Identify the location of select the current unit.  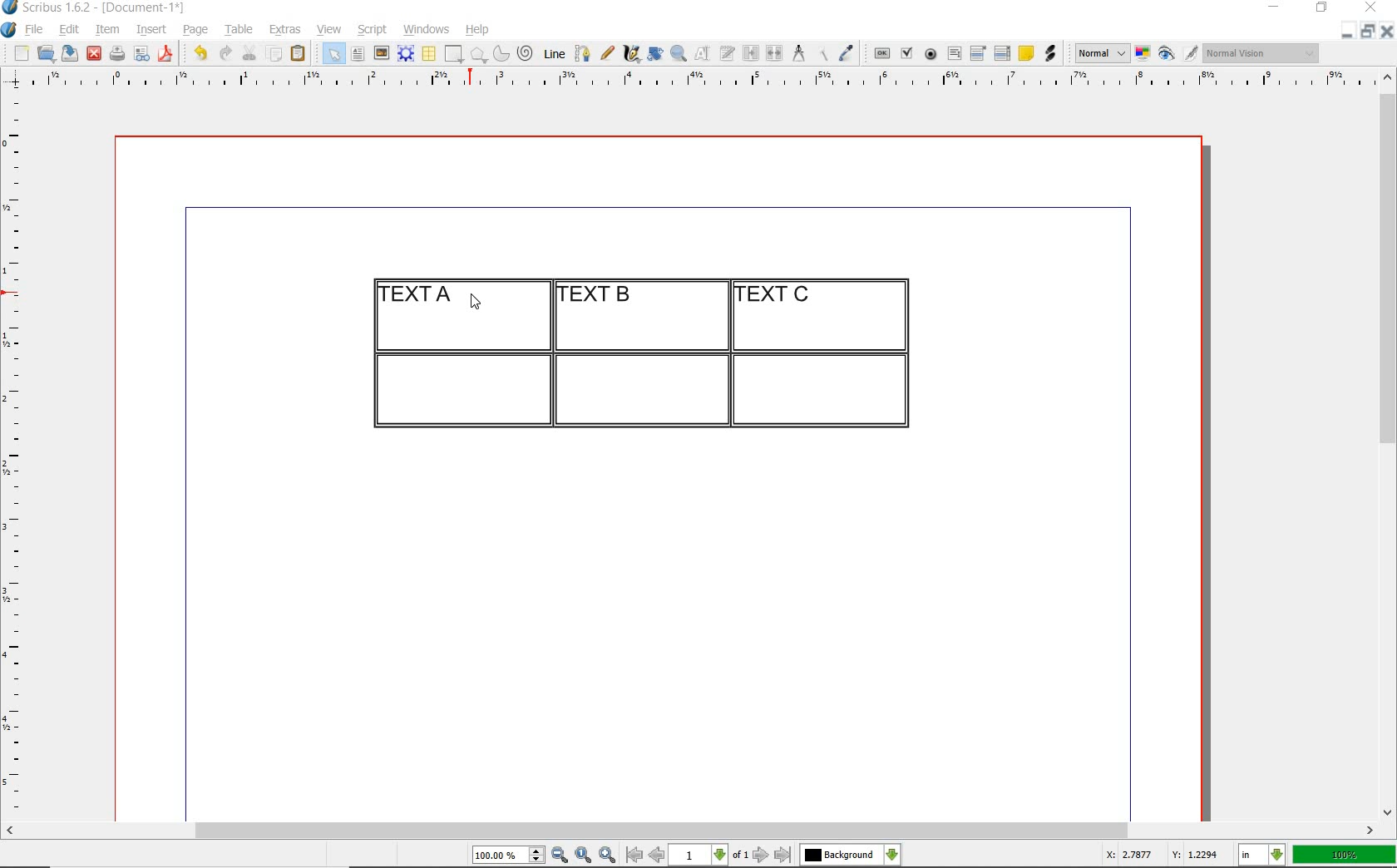
(1262, 856).